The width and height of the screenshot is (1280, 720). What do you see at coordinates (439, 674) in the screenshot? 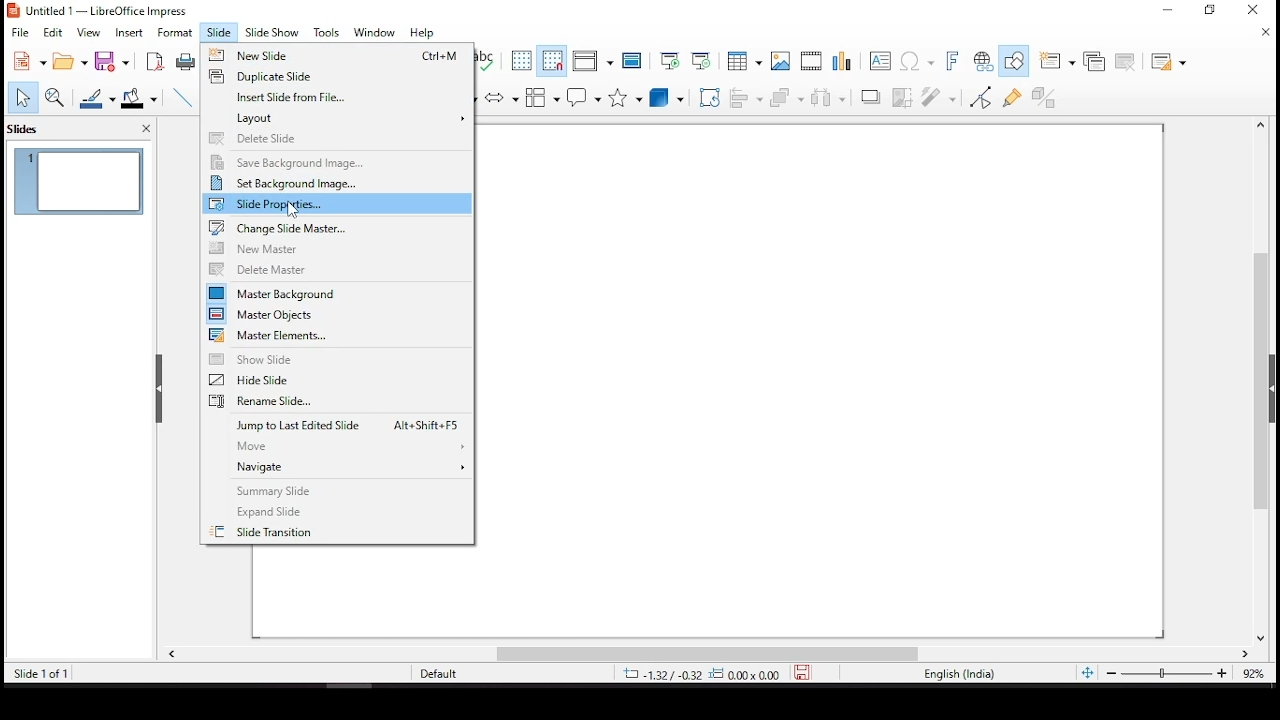
I see `default` at bounding box center [439, 674].